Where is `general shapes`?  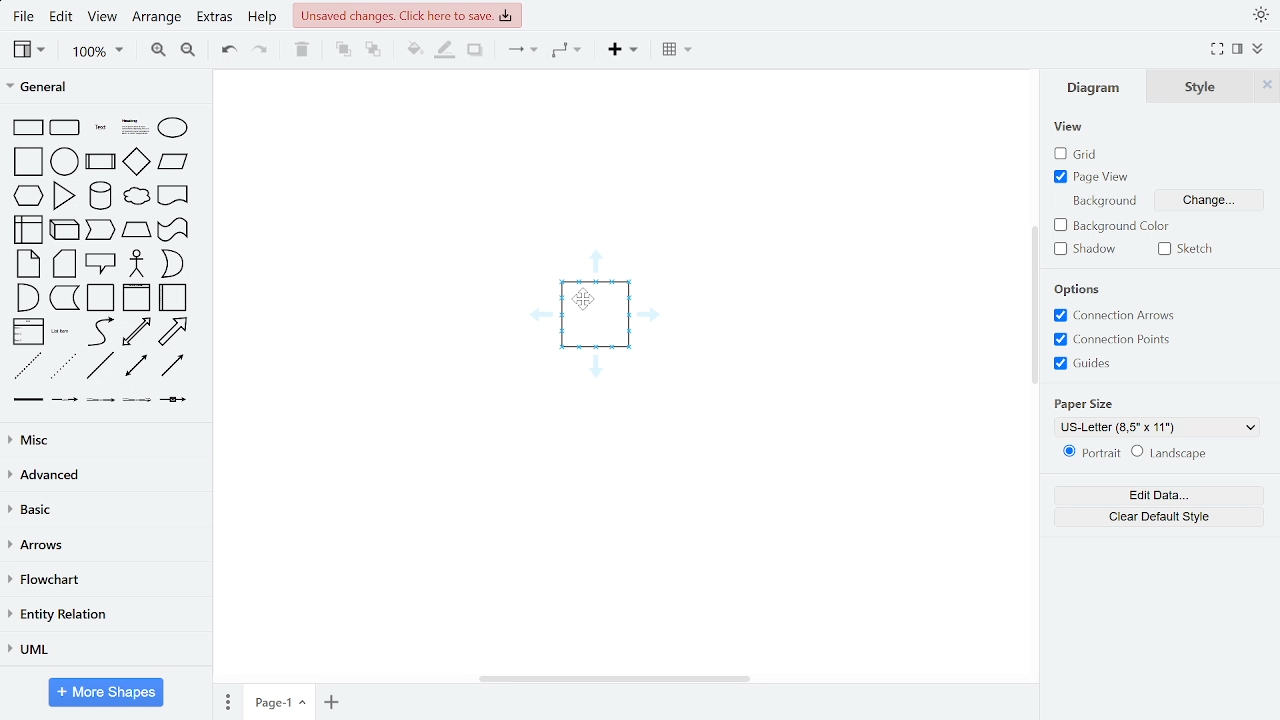
general shapes is located at coordinates (25, 365).